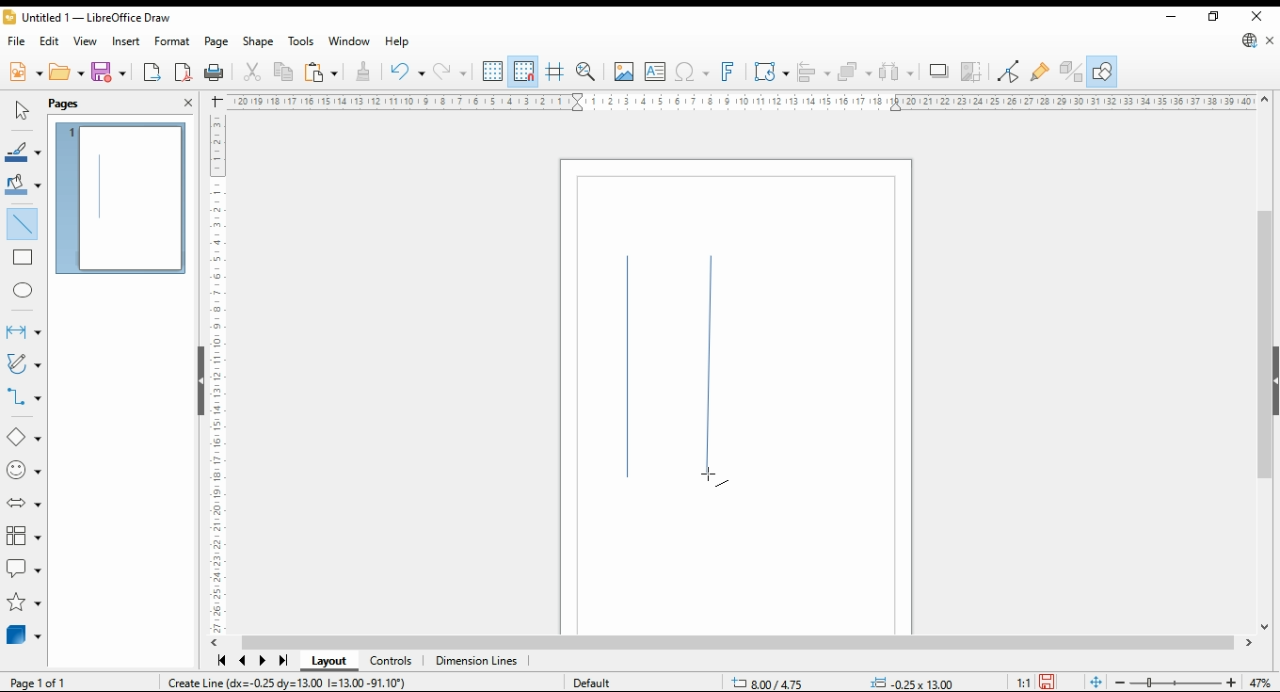 Image resolution: width=1280 pixels, height=692 pixels. Describe the element at coordinates (44, 681) in the screenshot. I see `page 1 of 1` at that location.